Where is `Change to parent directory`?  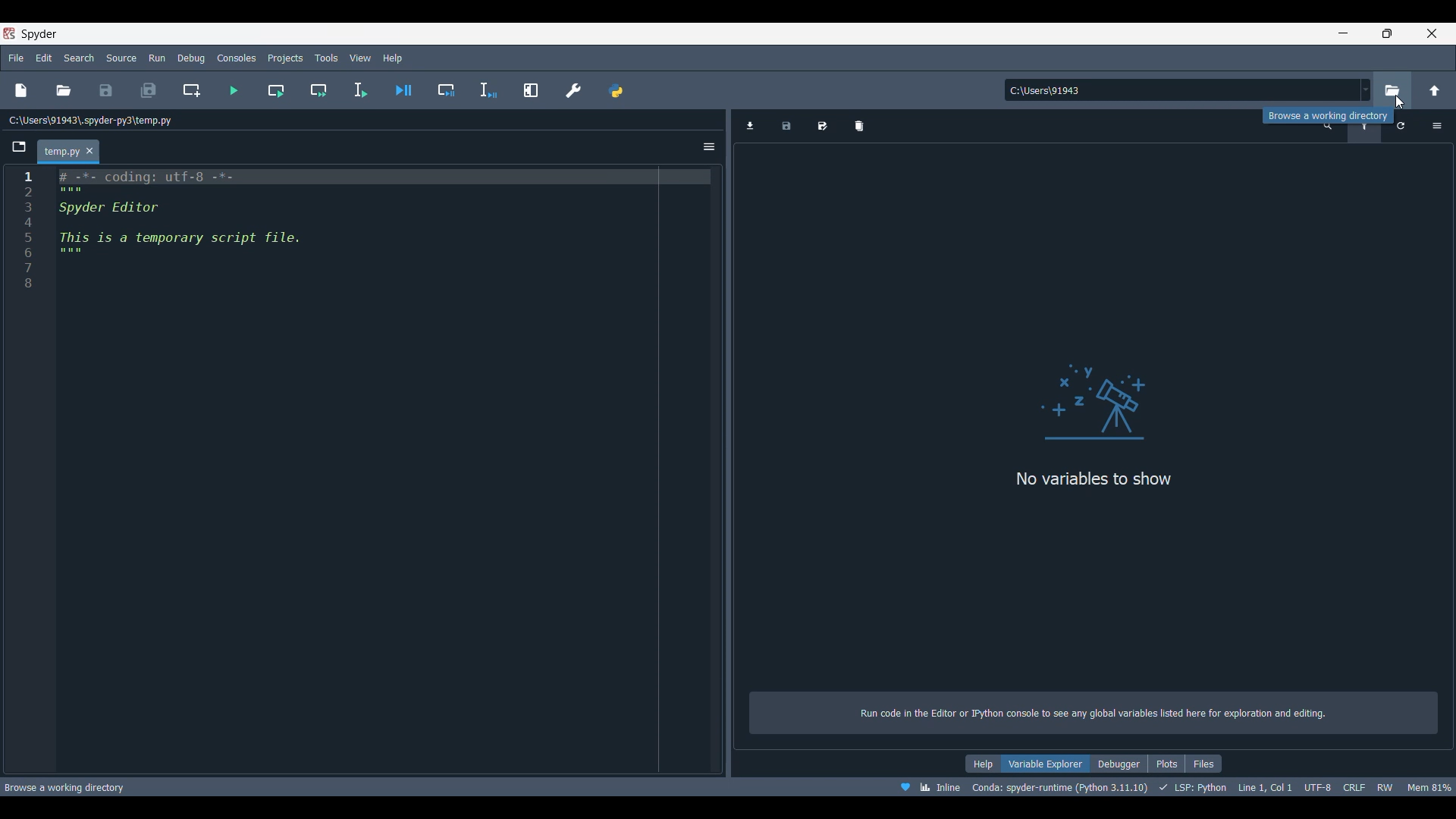
Change to parent directory is located at coordinates (1435, 90).